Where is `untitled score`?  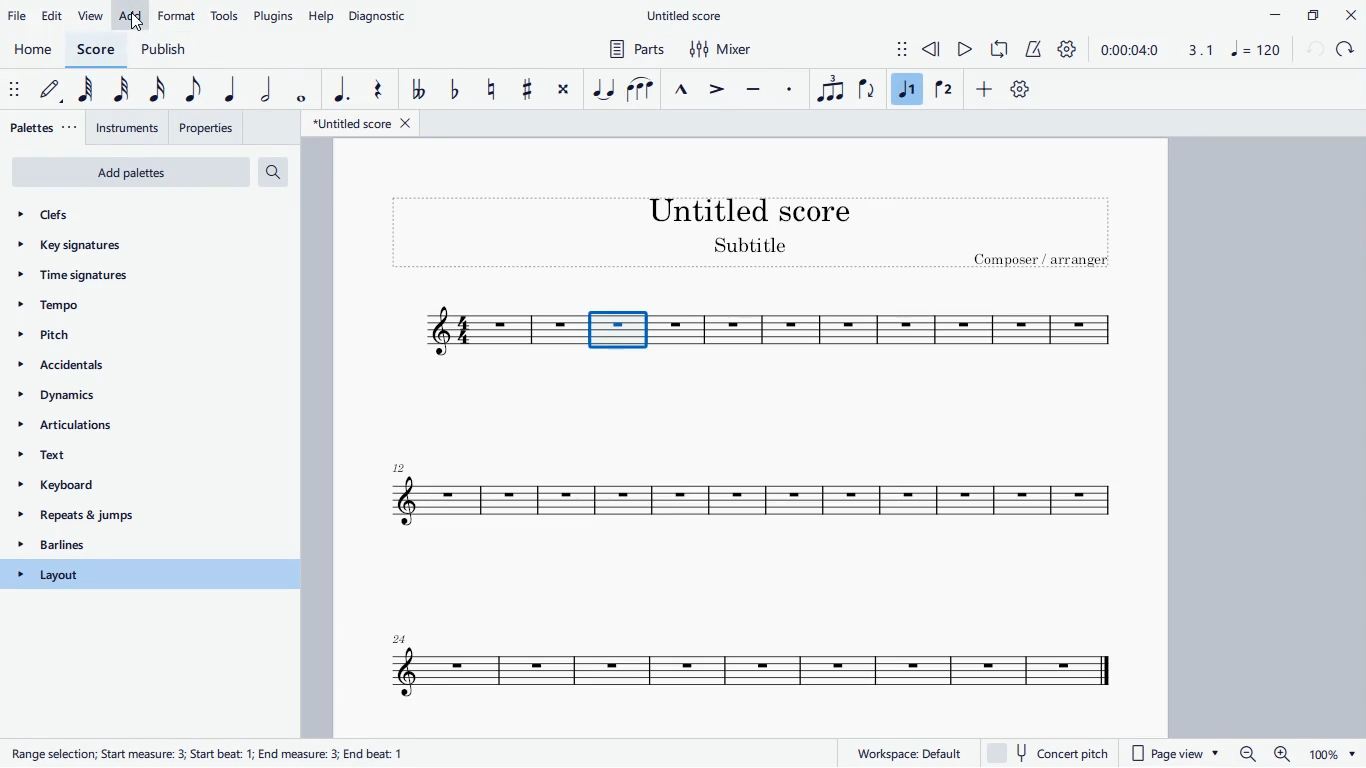
untitled score is located at coordinates (364, 123).